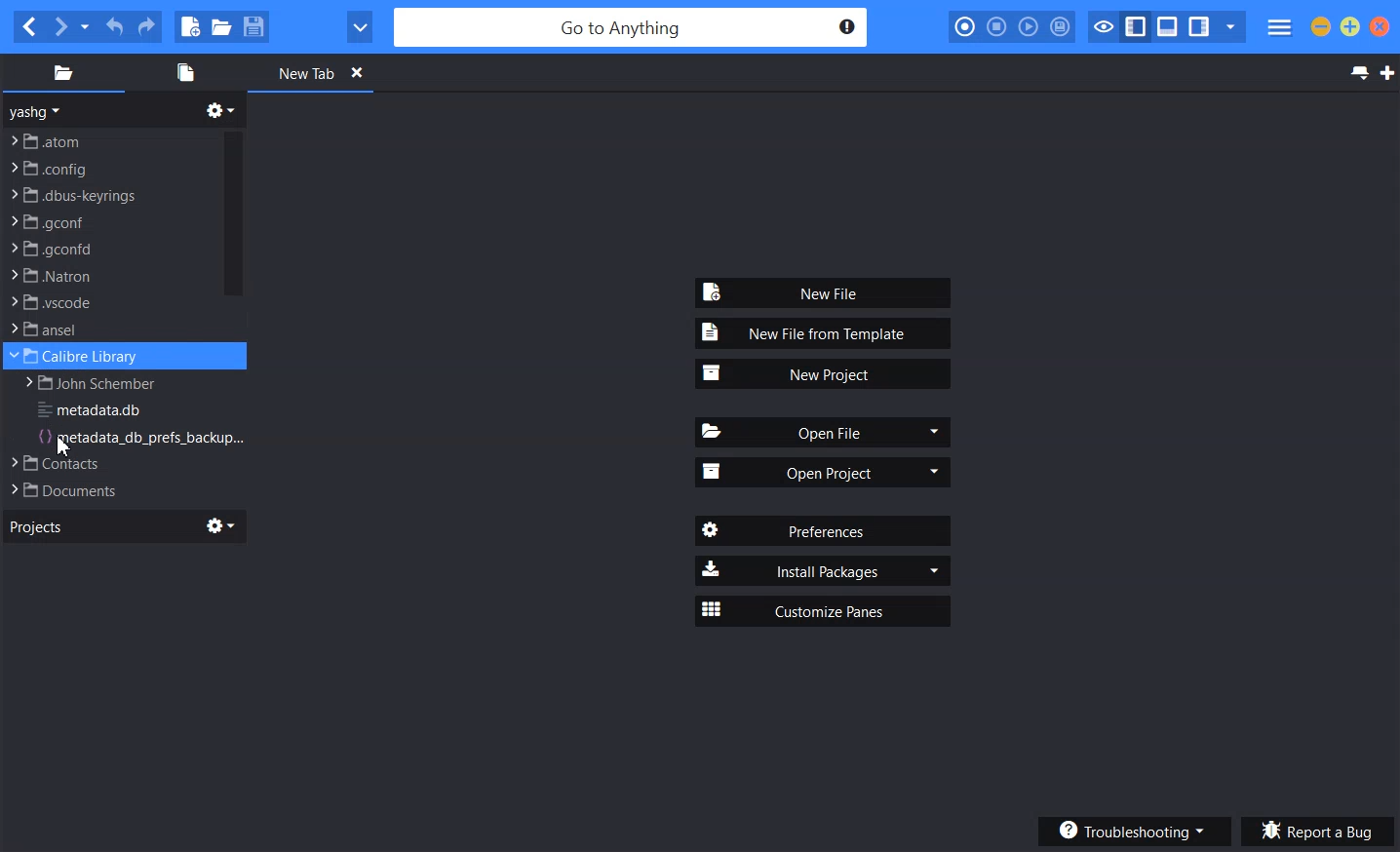  What do you see at coordinates (824, 333) in the screenshot?
I see `New File from Template` at bounding box center [824, 333].